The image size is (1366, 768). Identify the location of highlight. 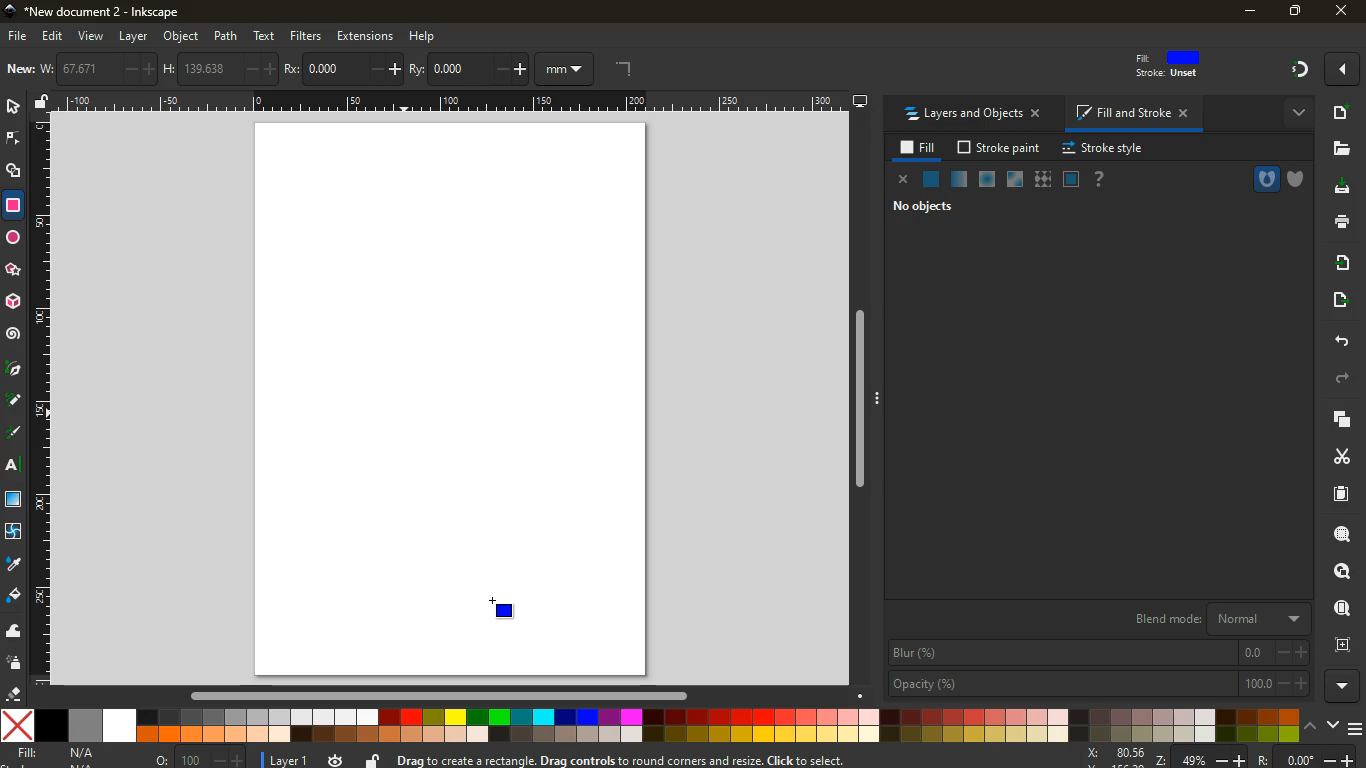
(17, 434).